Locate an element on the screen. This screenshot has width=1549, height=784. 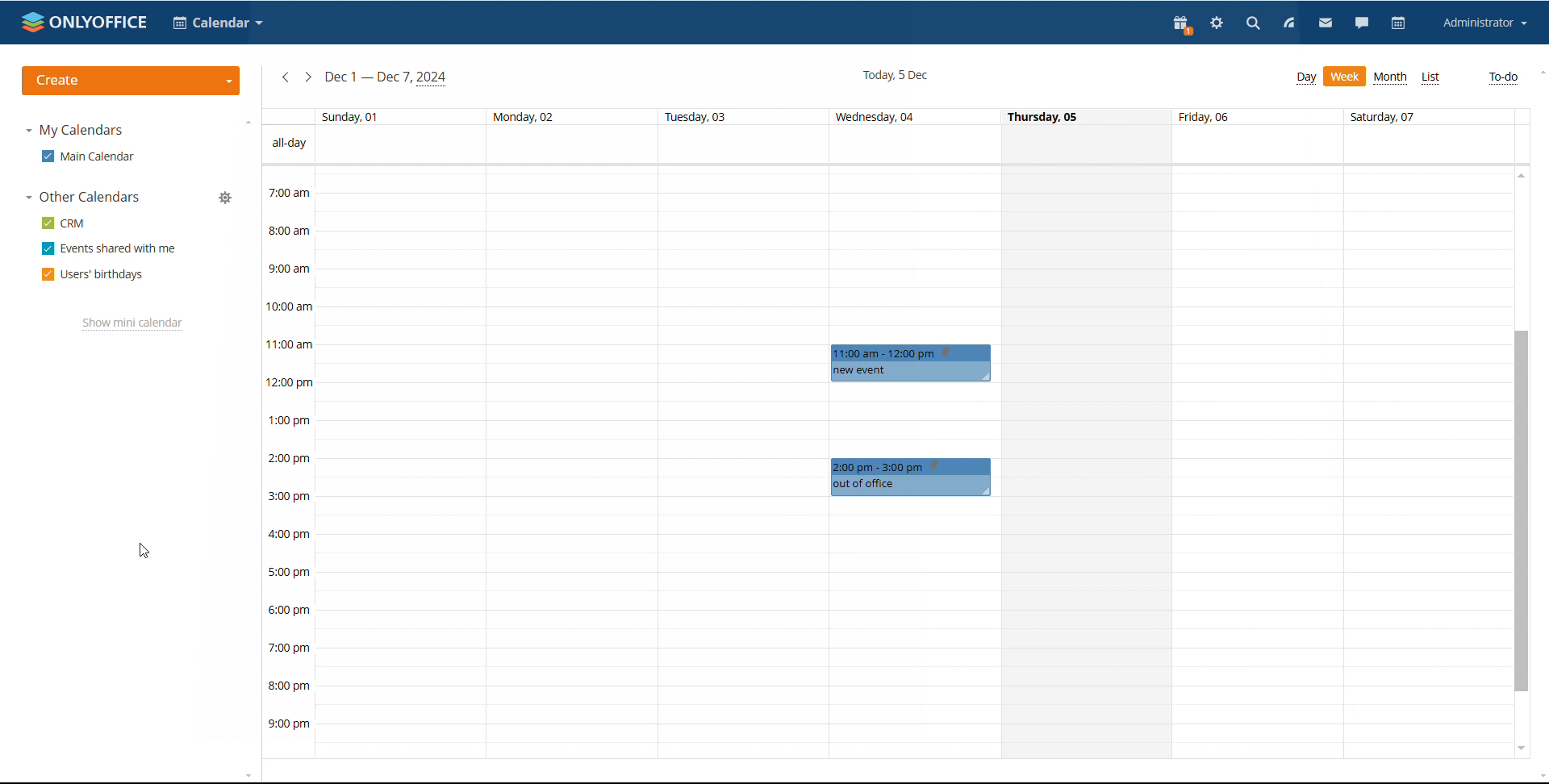
next week is located at coordinates (309, 78).